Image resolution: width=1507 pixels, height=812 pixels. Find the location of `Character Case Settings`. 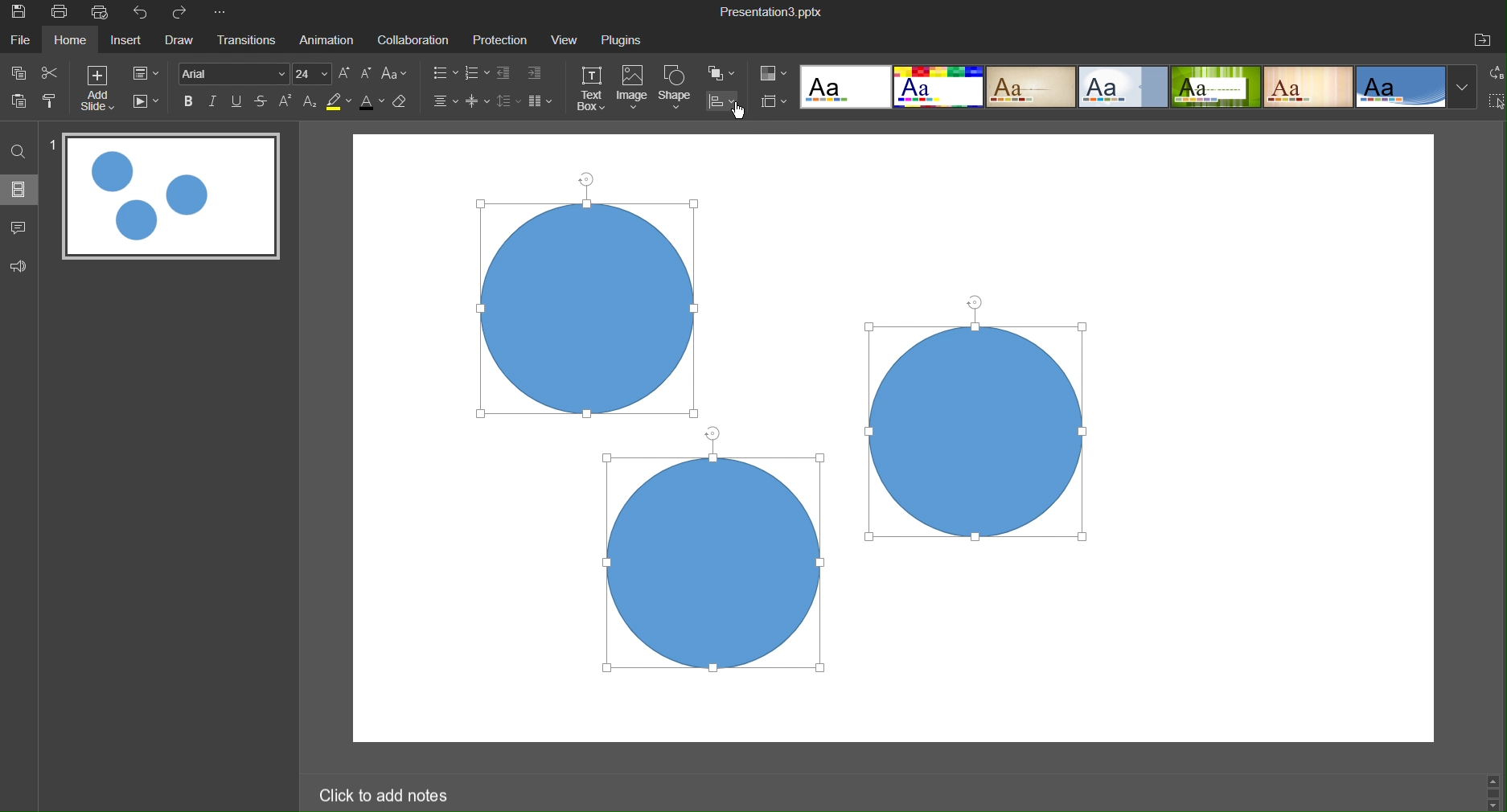

Character Case Settings is located at coordinates (394, 75).